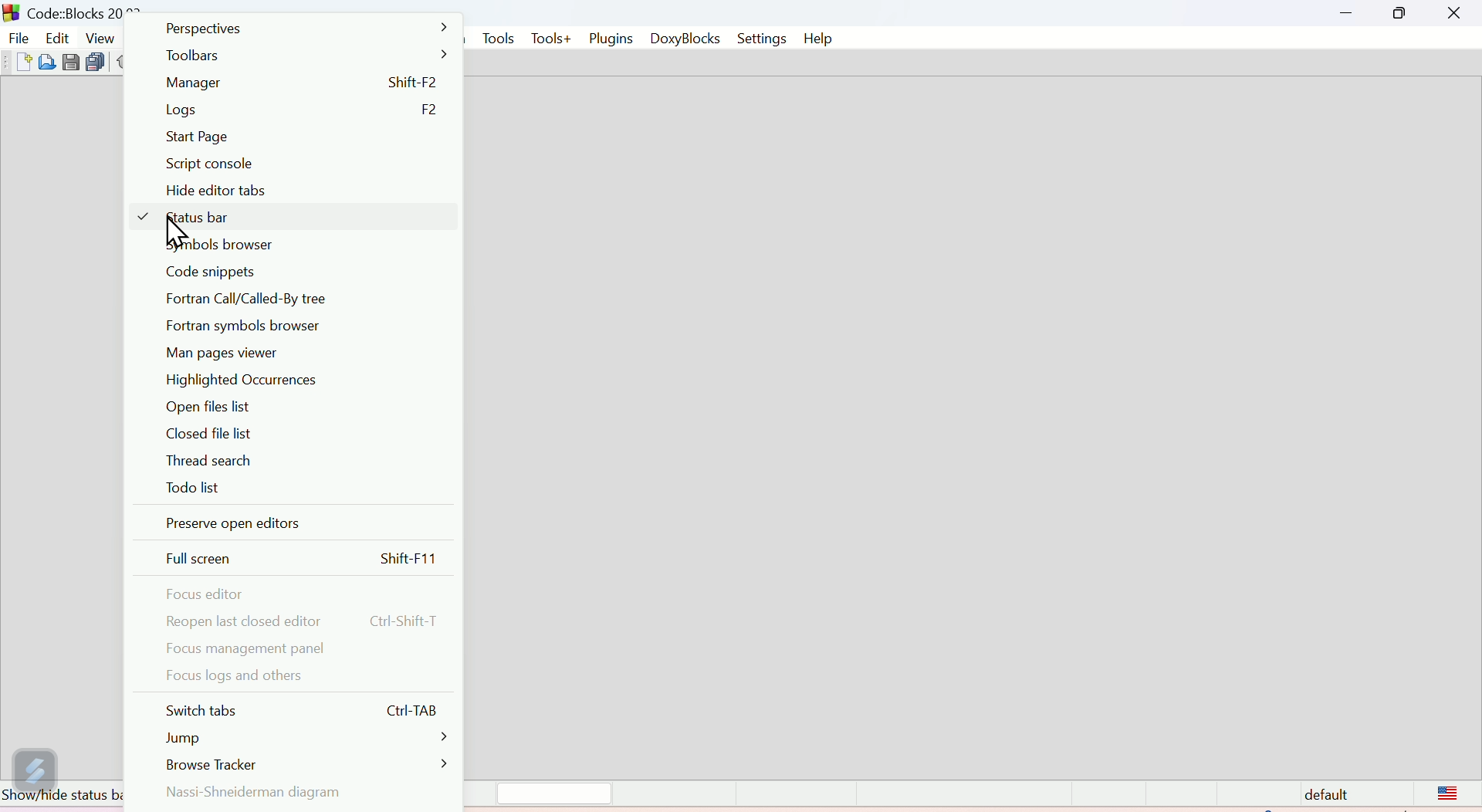 The image size is (1482, 812). I want to click on manager, so click(299, 86).